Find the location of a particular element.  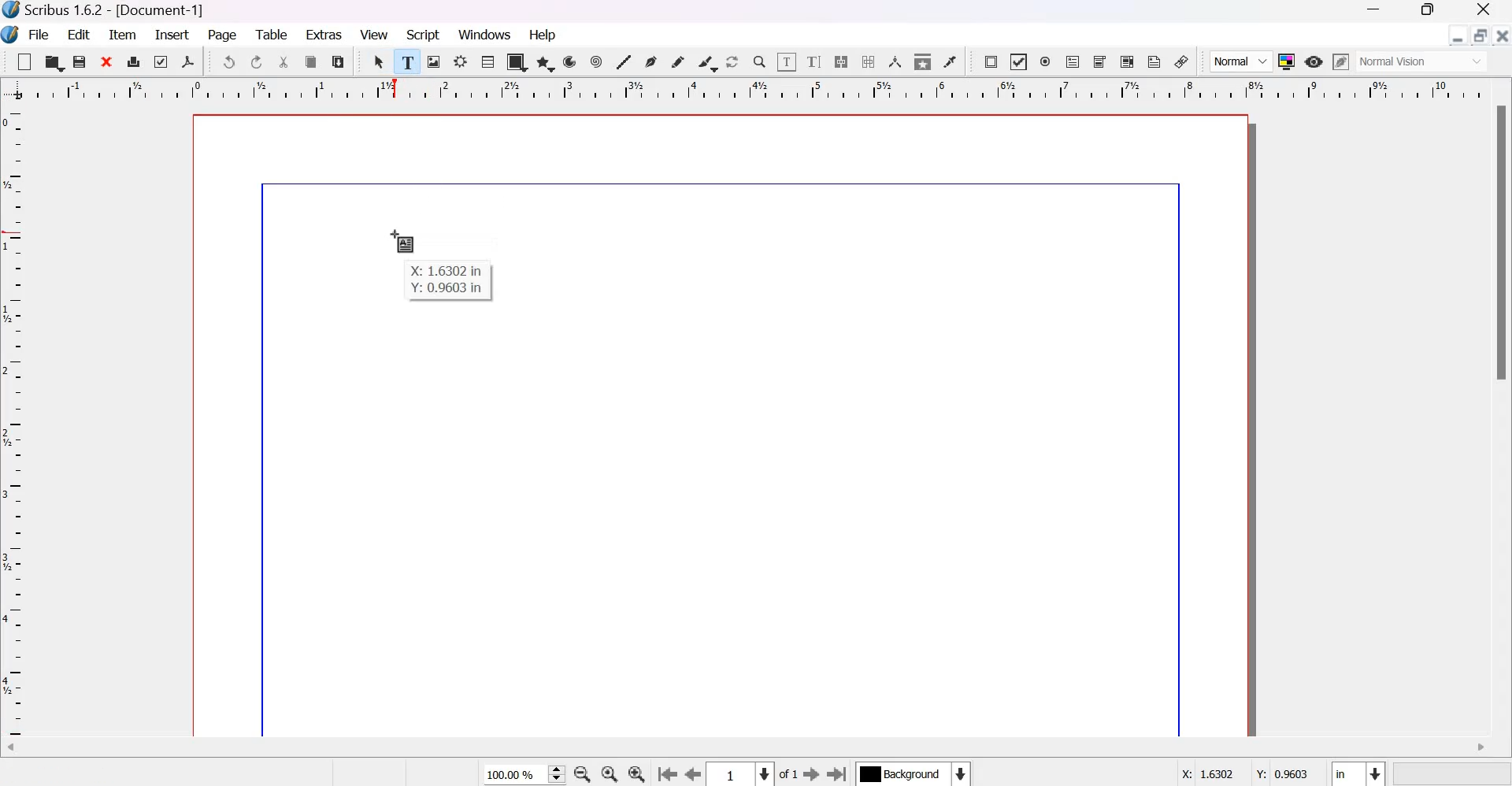

script is located at coordinates (424, 35).